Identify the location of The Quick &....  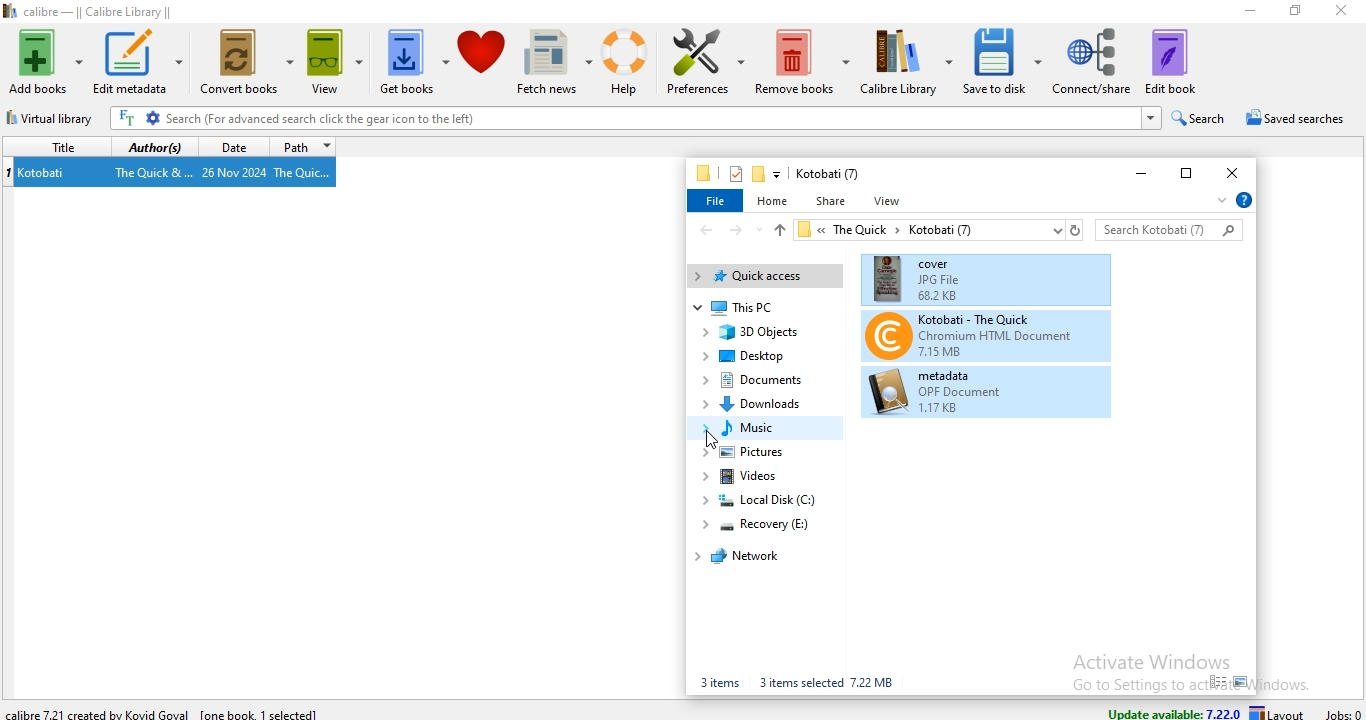
(152, 173).